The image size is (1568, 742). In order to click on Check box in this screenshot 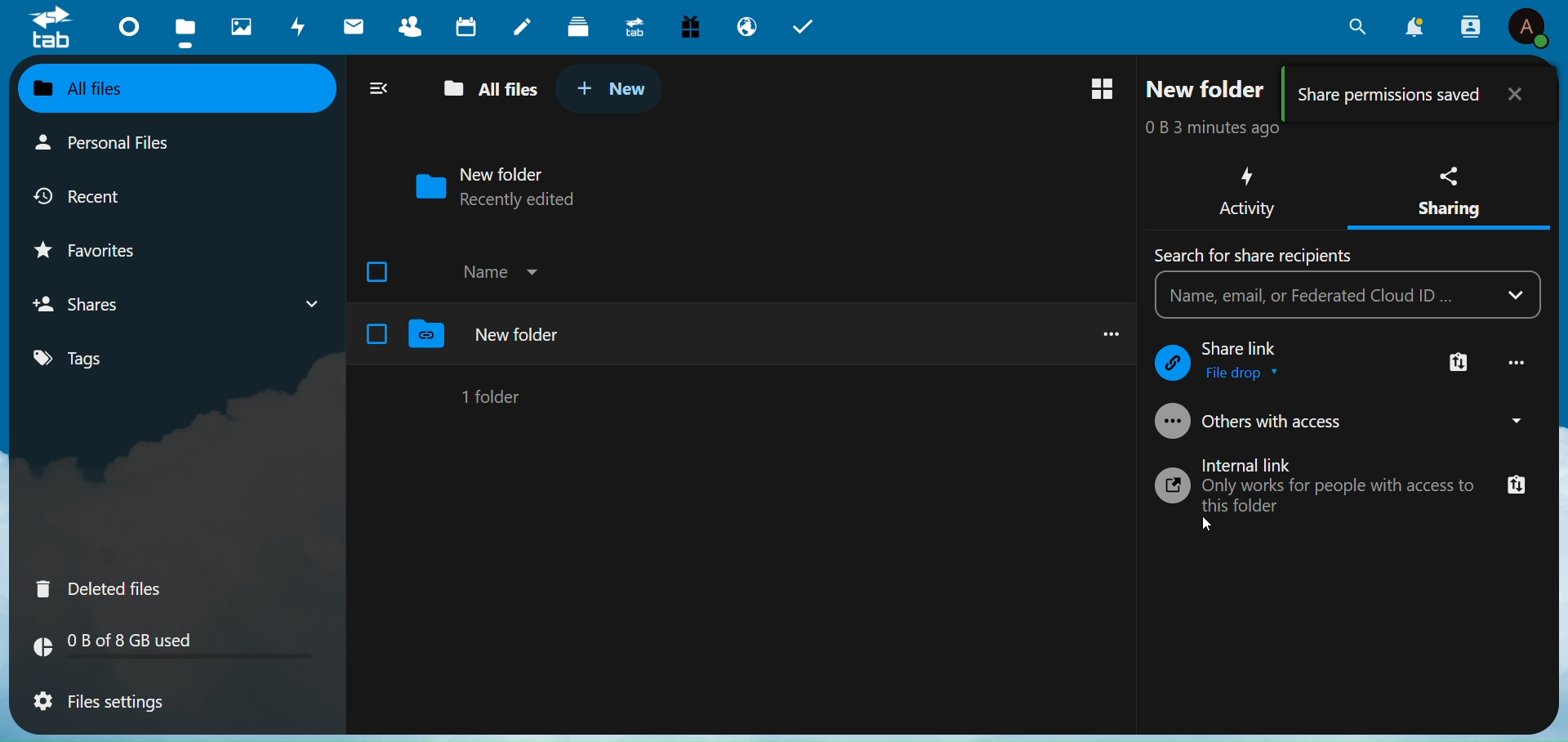, I will do `click(381, 270)`.